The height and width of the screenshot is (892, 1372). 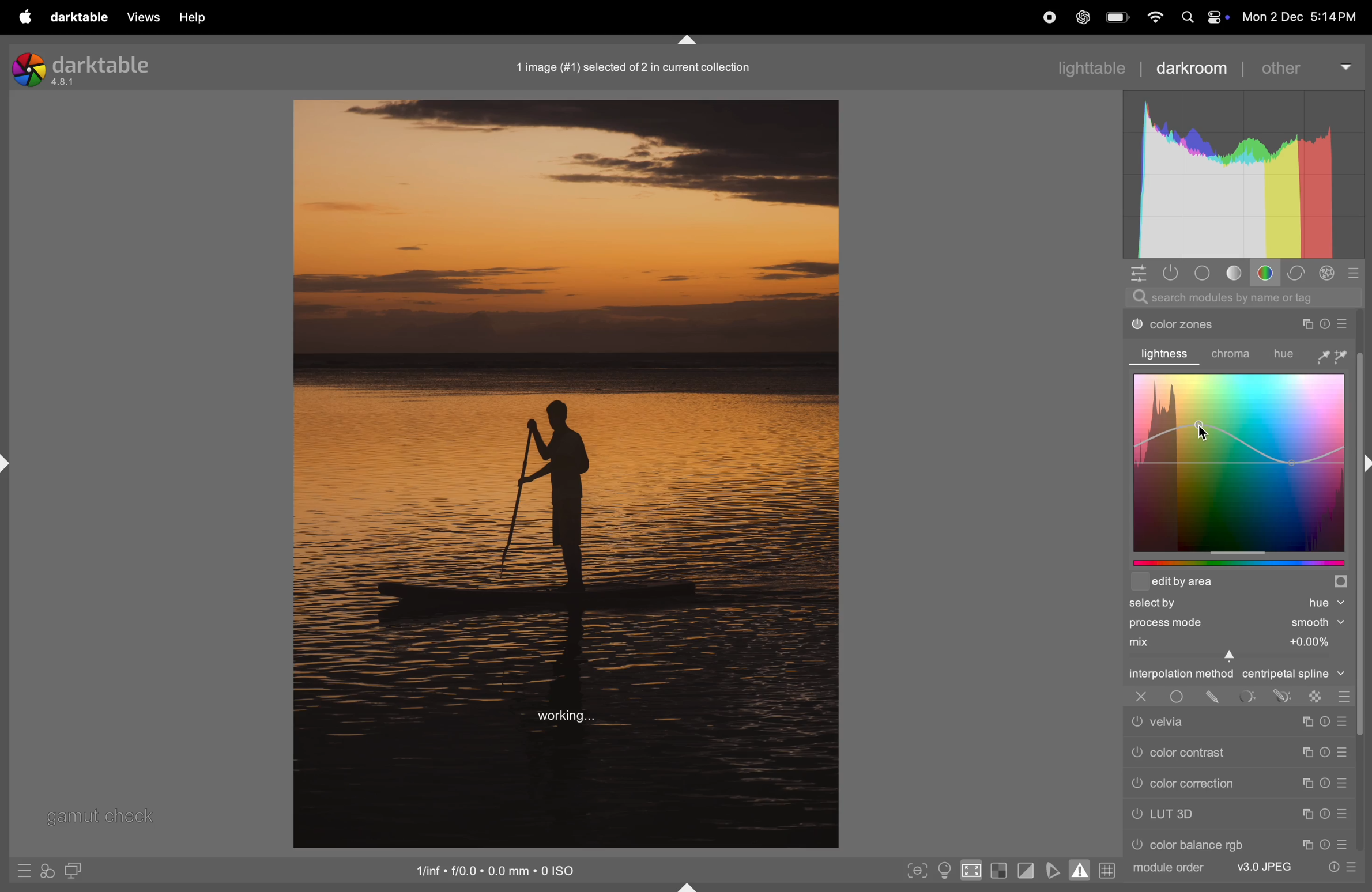 I want to click on preset, so click(x=1342, y=815).